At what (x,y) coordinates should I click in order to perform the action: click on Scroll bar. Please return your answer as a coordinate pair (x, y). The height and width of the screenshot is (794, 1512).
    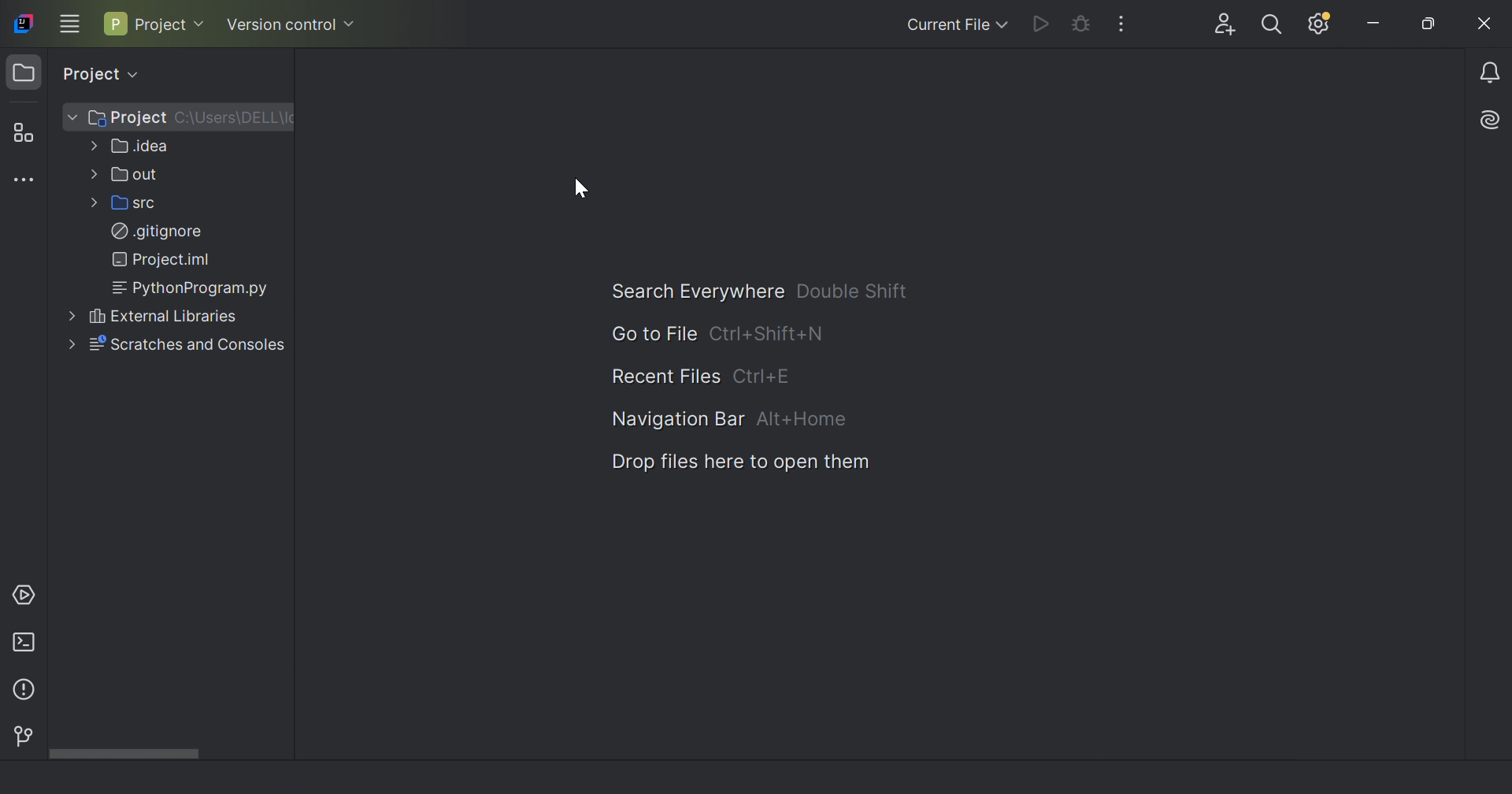
    Looking at the image, I should click on (128, 755).